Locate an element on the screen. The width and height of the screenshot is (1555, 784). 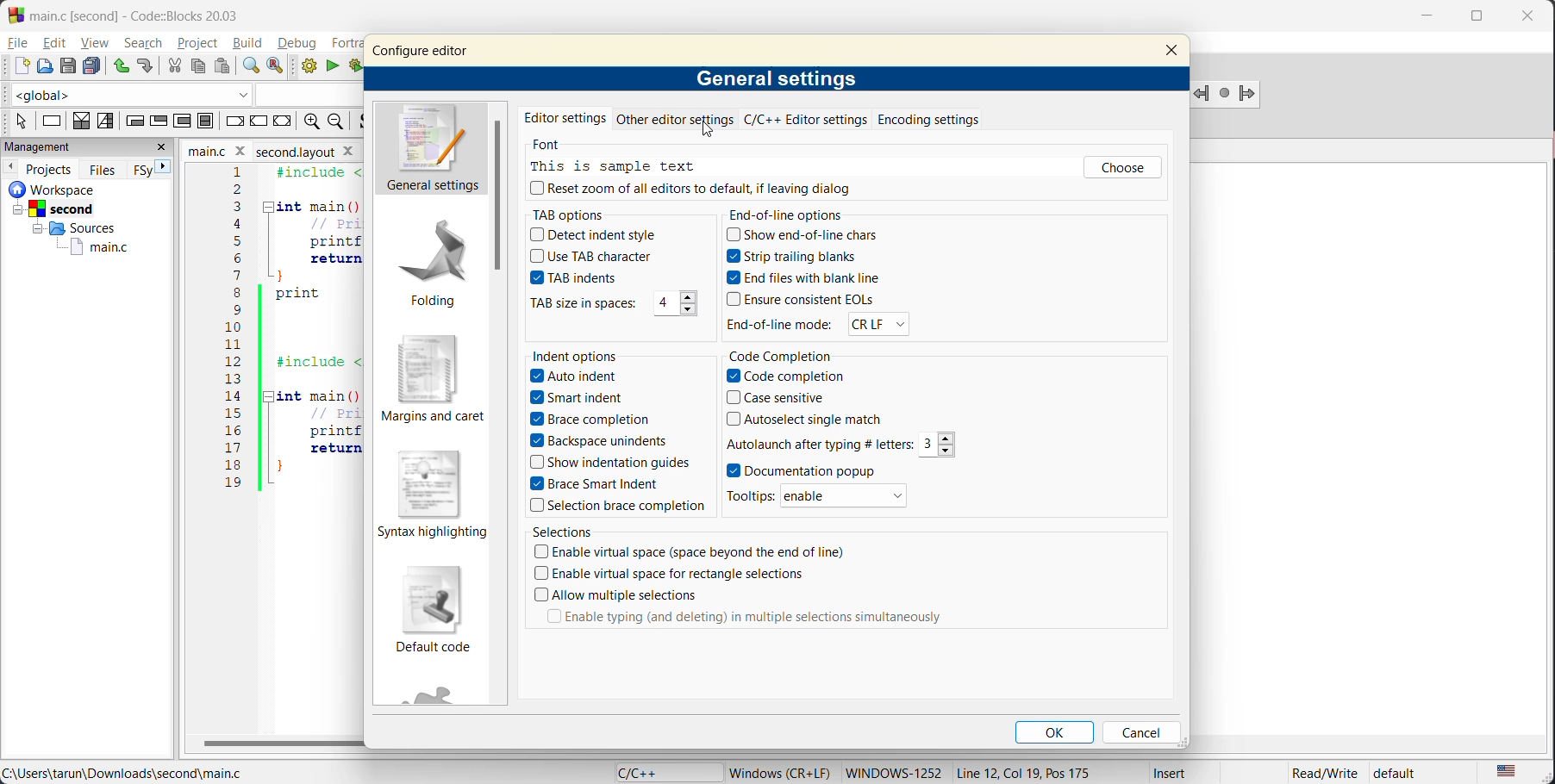
windows (CR+LF) is located at coordinates (781, 772).